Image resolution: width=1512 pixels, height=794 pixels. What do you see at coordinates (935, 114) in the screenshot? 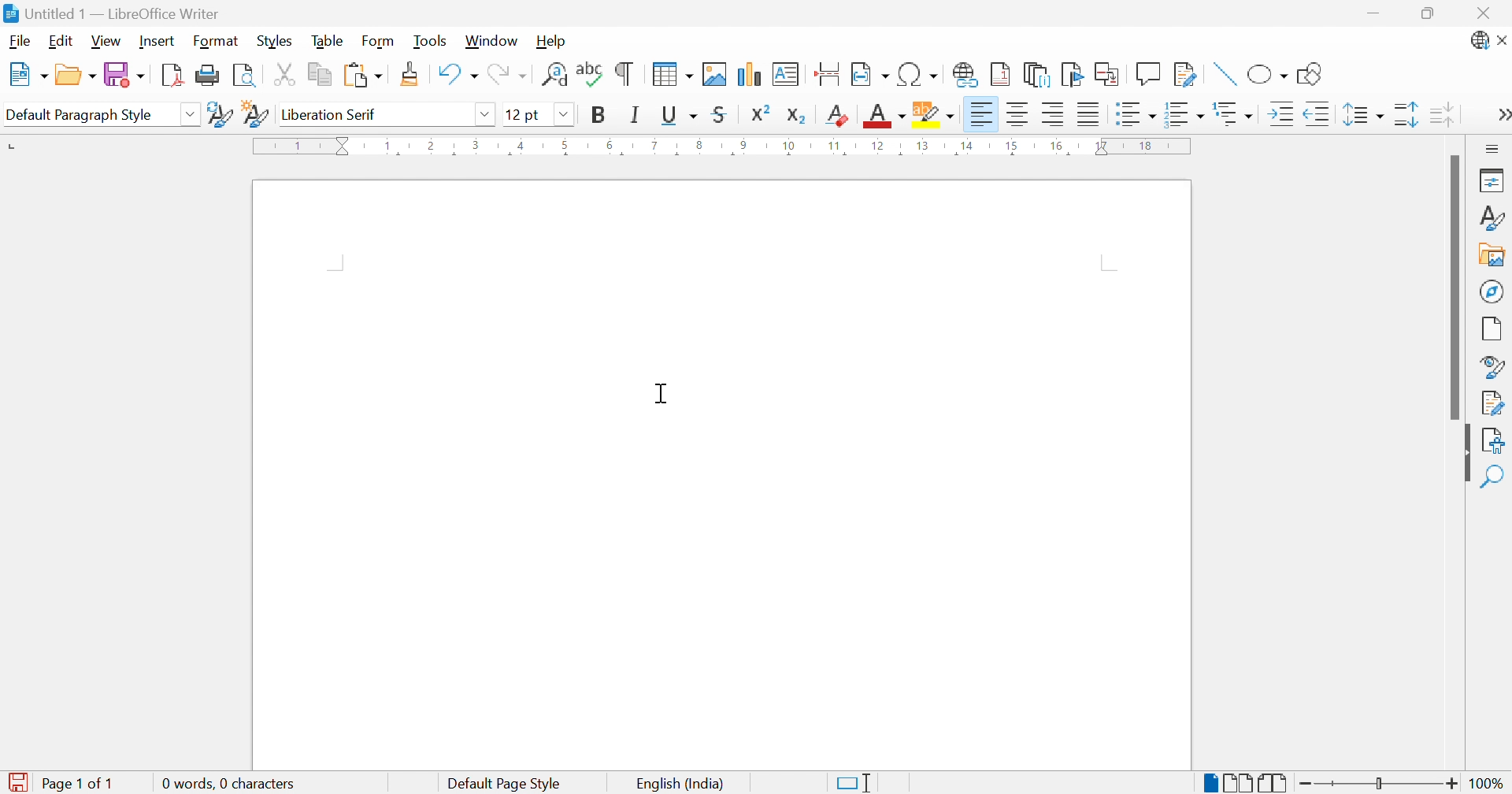
I see `Character highlighting color` at bounding box center [935, 114].